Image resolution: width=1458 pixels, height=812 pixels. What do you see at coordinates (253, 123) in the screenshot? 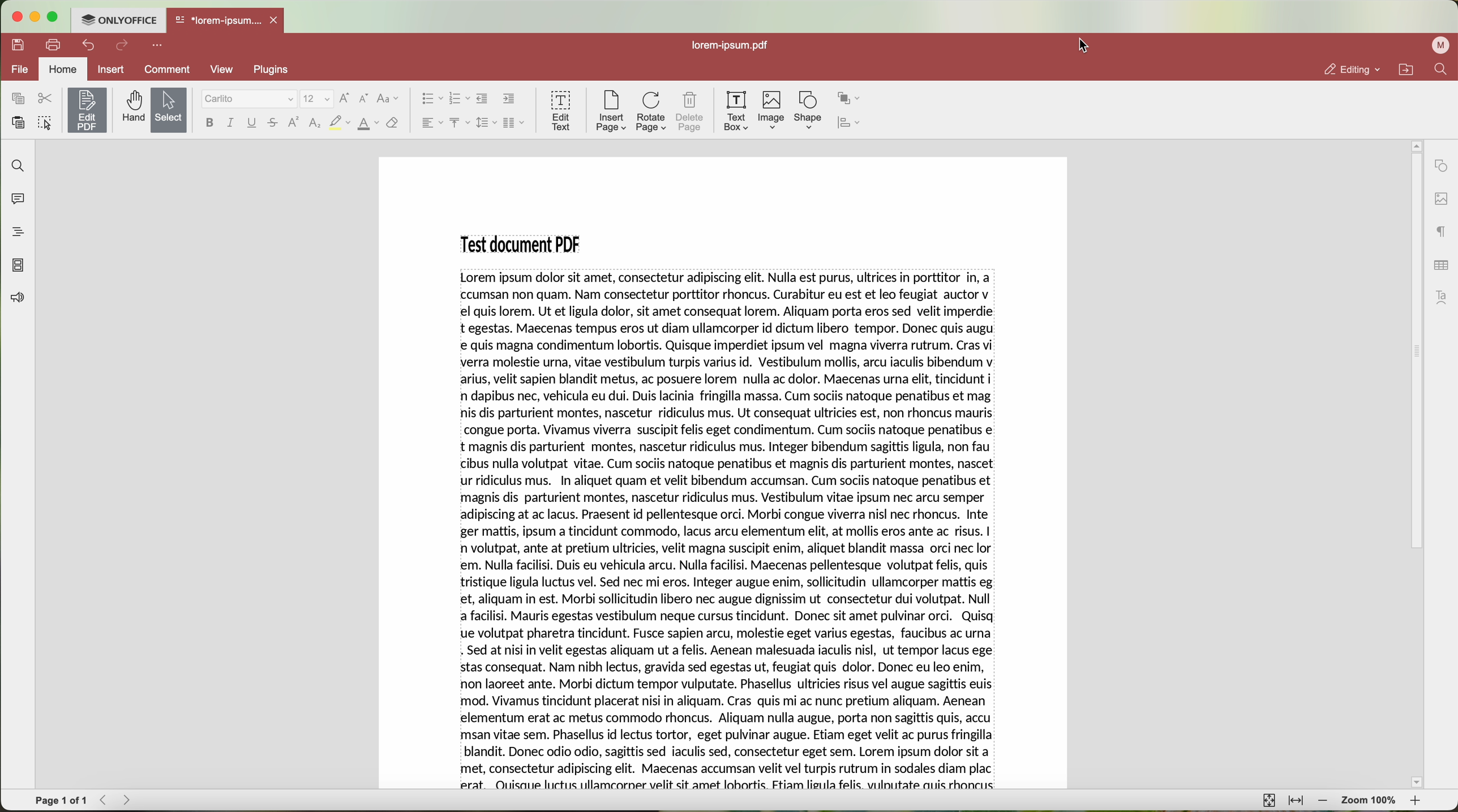
I see `underline` at bounding box center [253, 123].